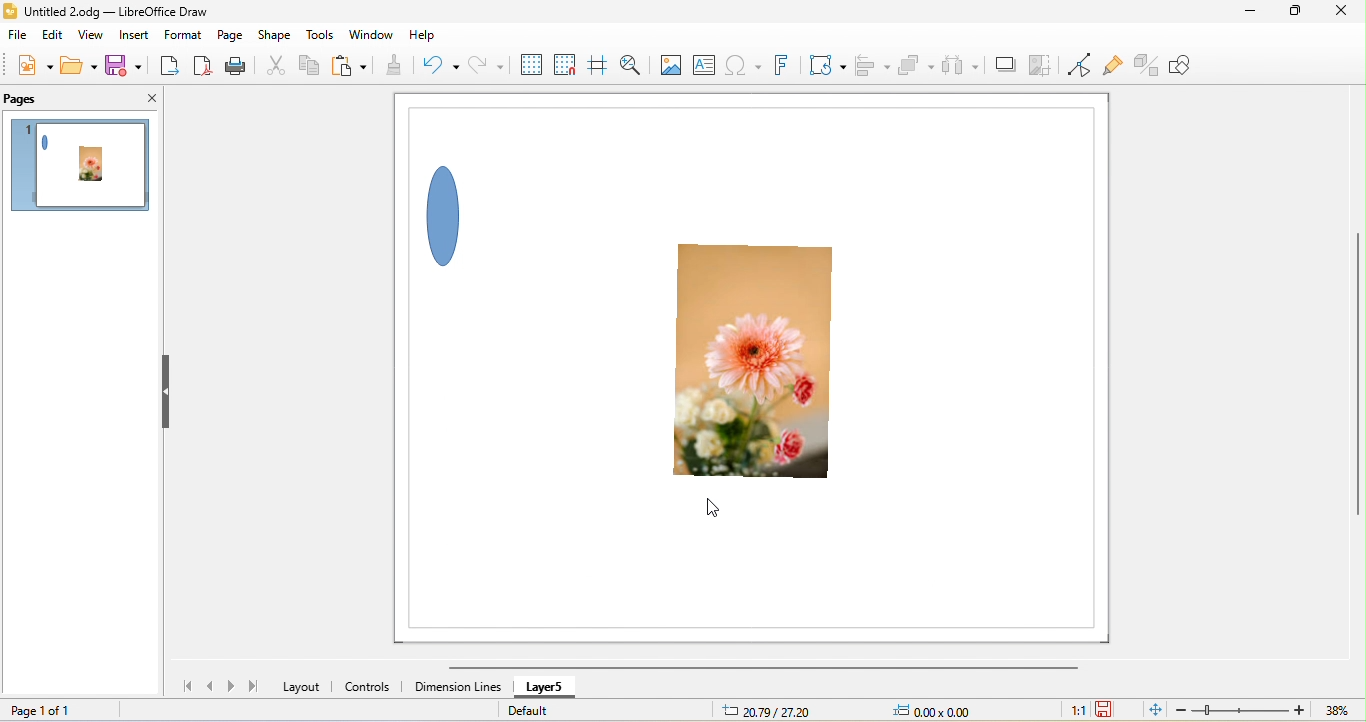 The image size is (1366, 722). I want to click on photo, so click(759, 359).